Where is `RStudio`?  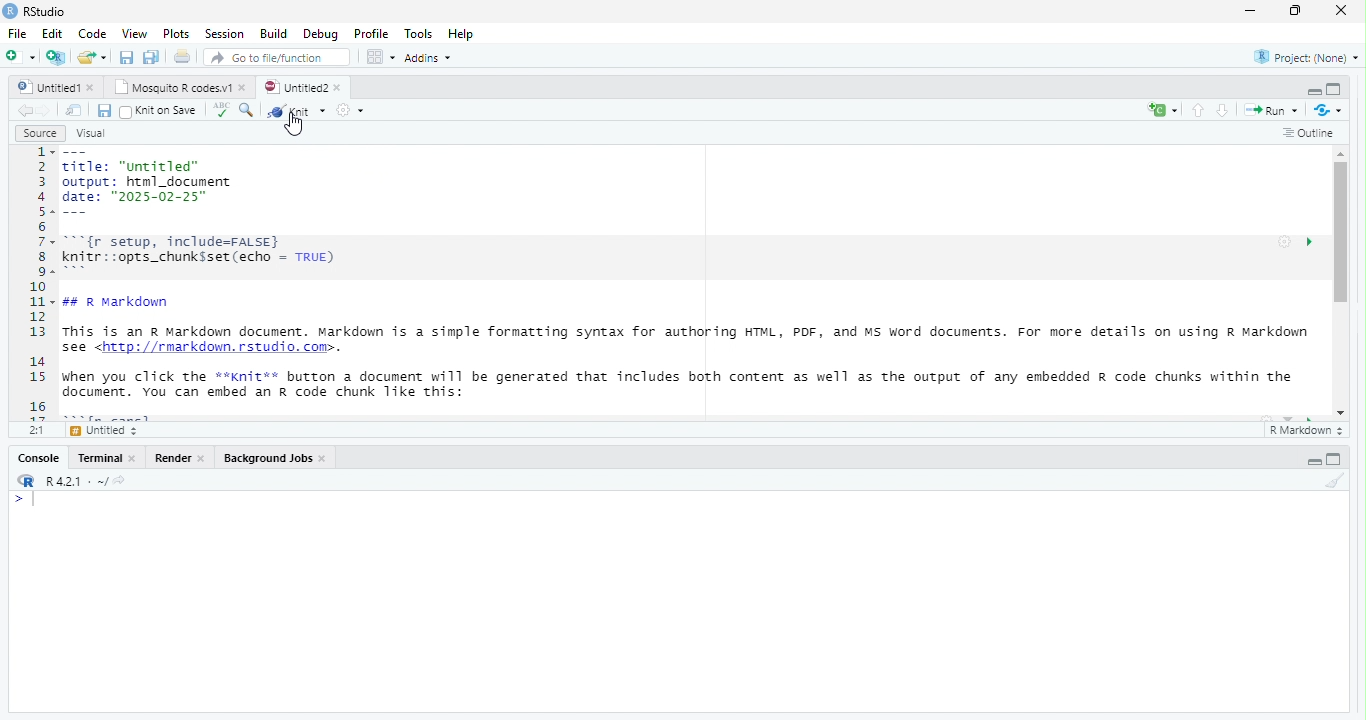 RStudio is located at coordinates (46, 11).